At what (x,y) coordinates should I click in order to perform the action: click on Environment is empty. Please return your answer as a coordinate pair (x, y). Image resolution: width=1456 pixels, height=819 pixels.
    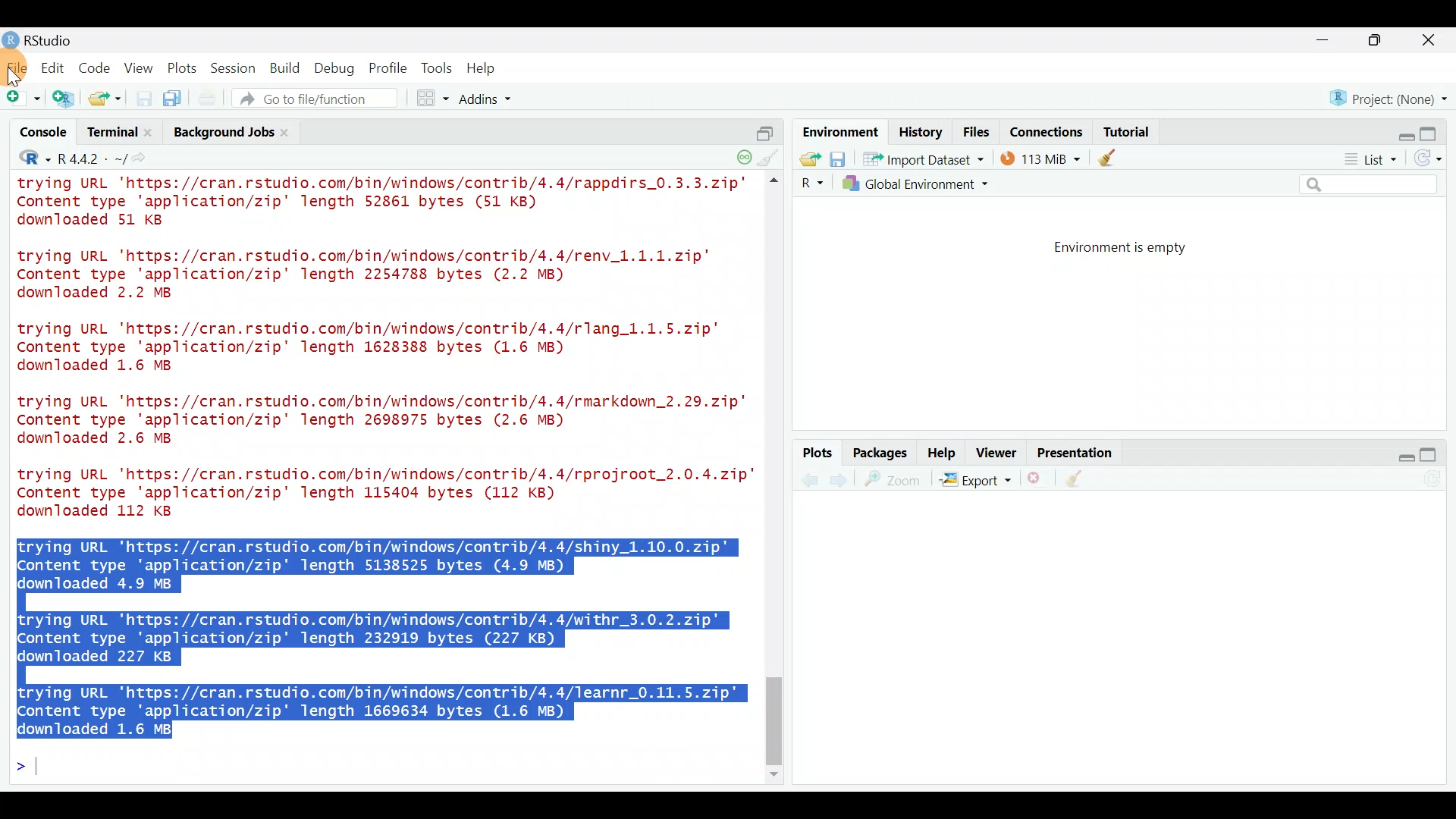
    Looking at the image, I should click on (1133, 248).